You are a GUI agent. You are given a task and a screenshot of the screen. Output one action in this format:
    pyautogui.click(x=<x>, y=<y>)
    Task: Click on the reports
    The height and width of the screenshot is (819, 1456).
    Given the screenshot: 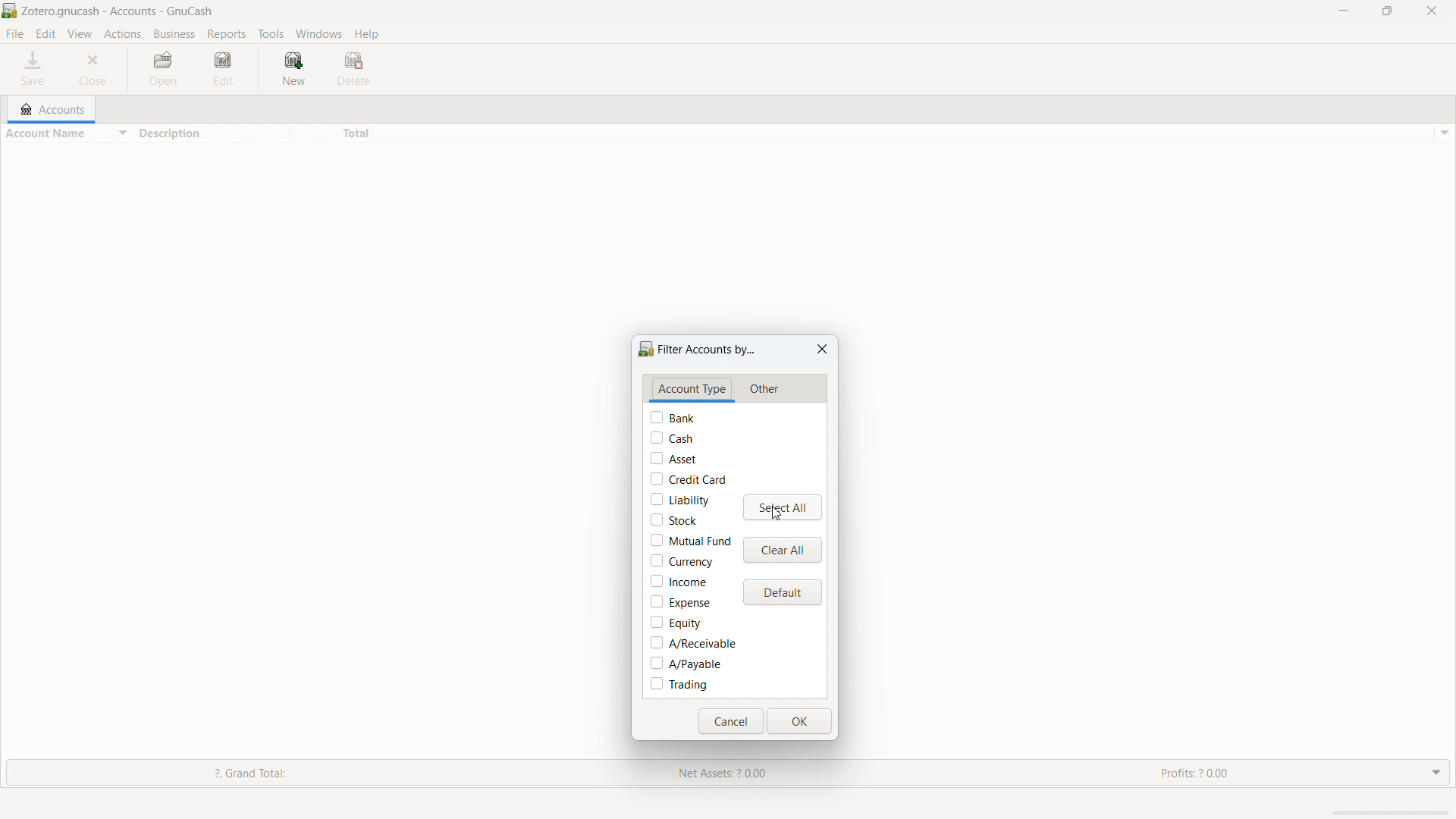 What is the action you would take?
    pyautogui.click(x=227, y=34)
    